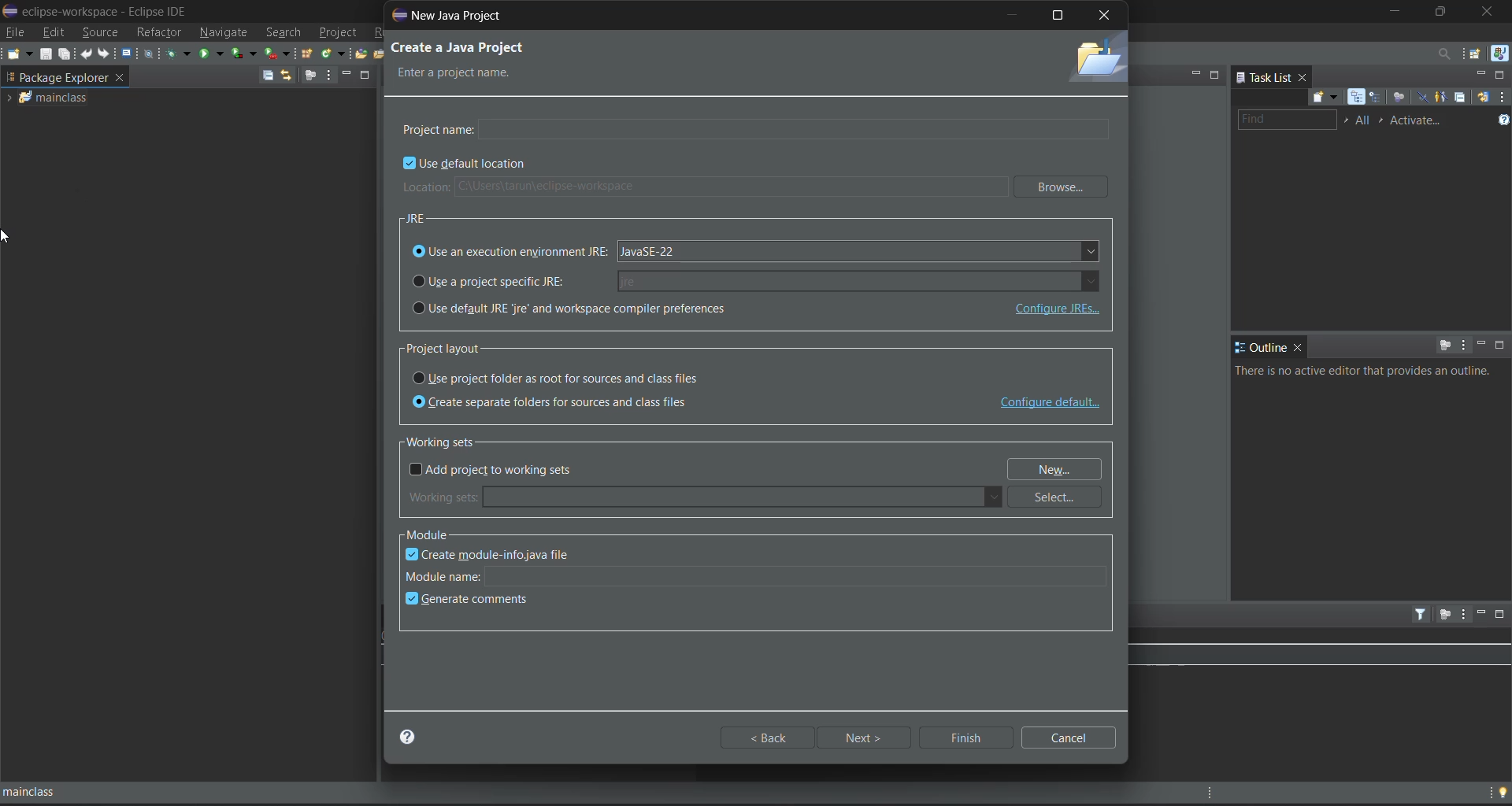  Describe the element at coordinates (1358, 97) in the screenshot. I see `categorized` at that location.